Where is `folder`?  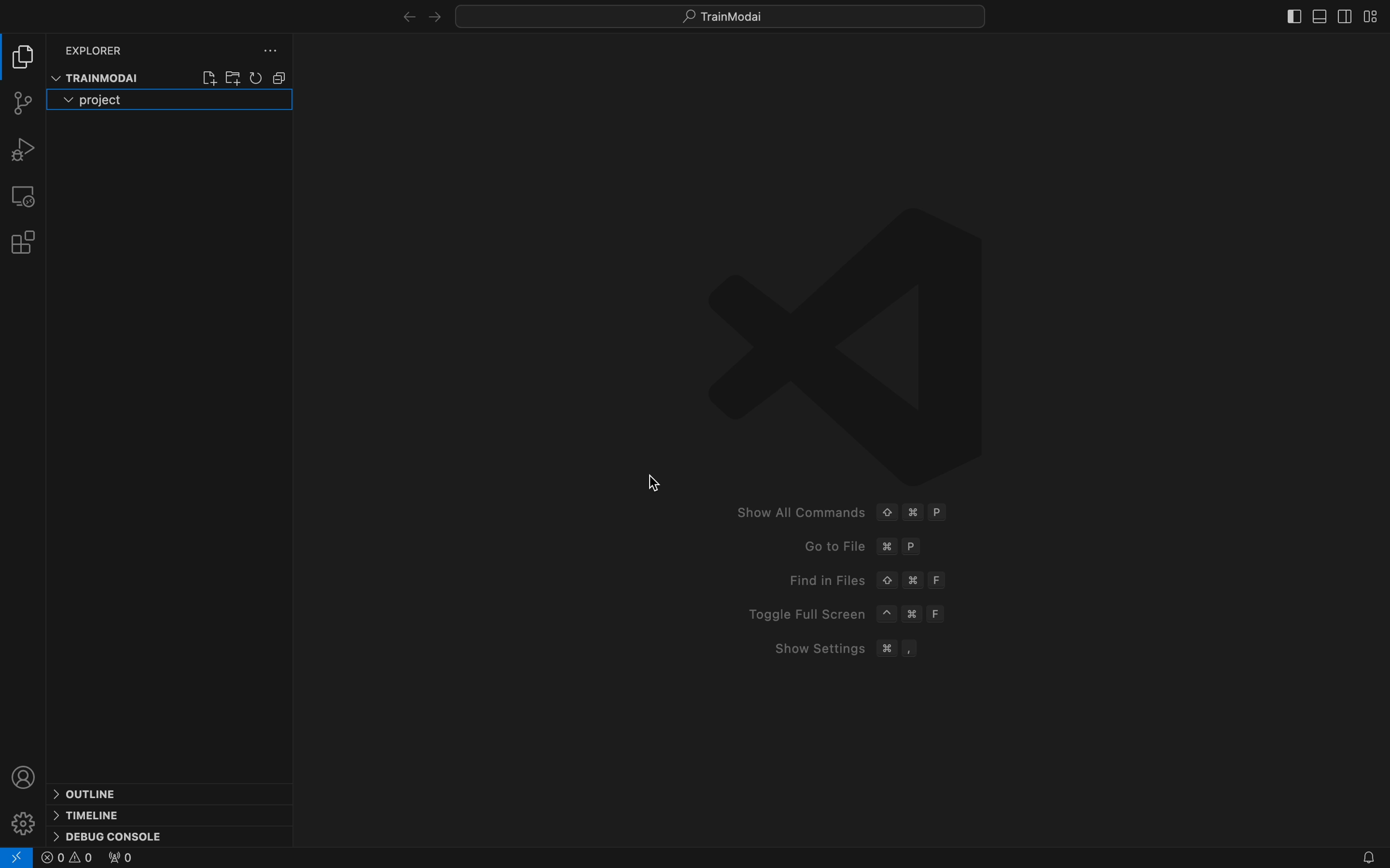 folder is located at coordinates (106, 99).